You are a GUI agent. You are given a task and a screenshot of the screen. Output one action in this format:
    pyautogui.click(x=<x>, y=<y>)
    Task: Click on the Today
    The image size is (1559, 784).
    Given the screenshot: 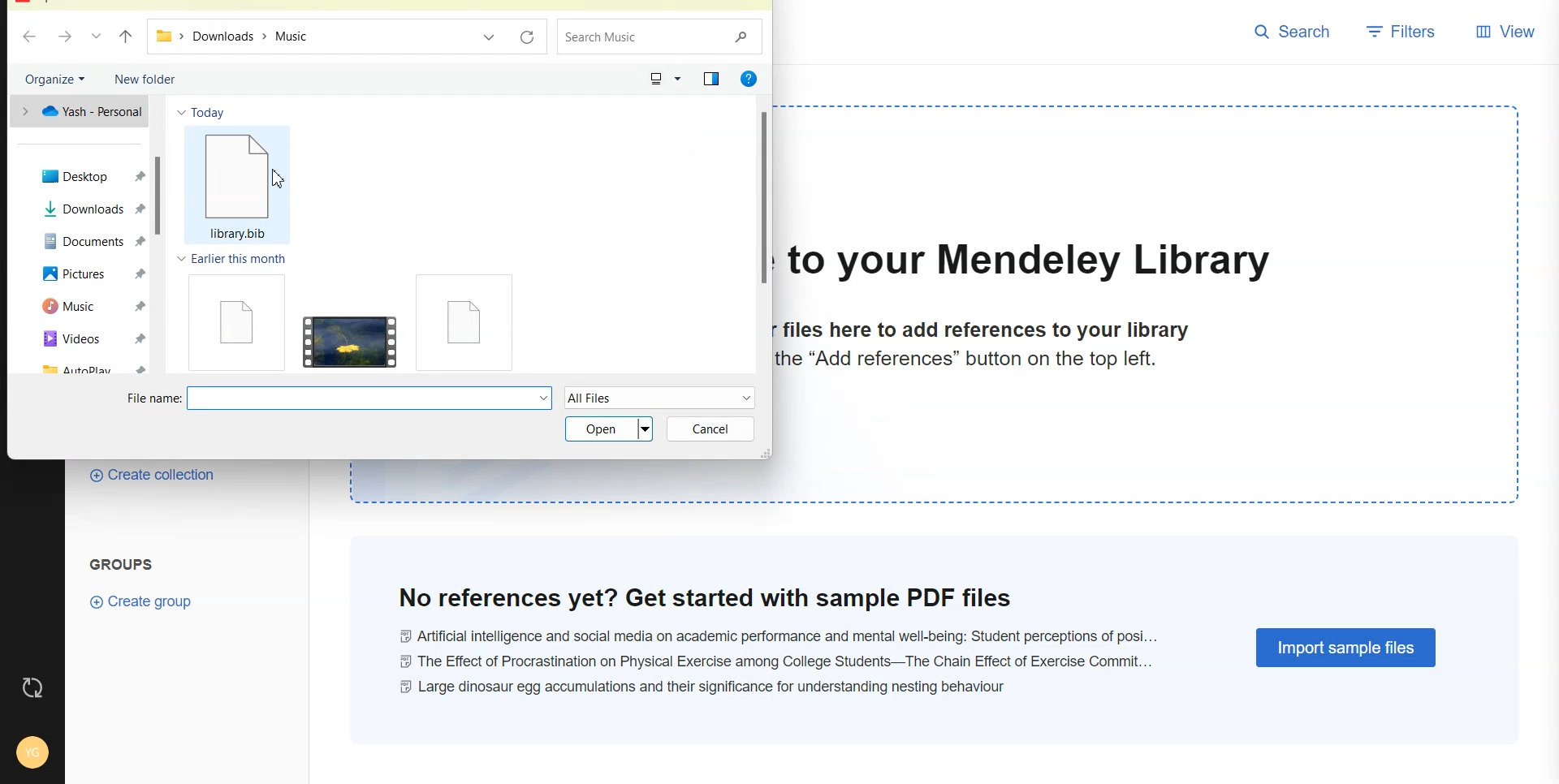 What is the action you would take?
    pyautogui.click(x=201, y=111)
    